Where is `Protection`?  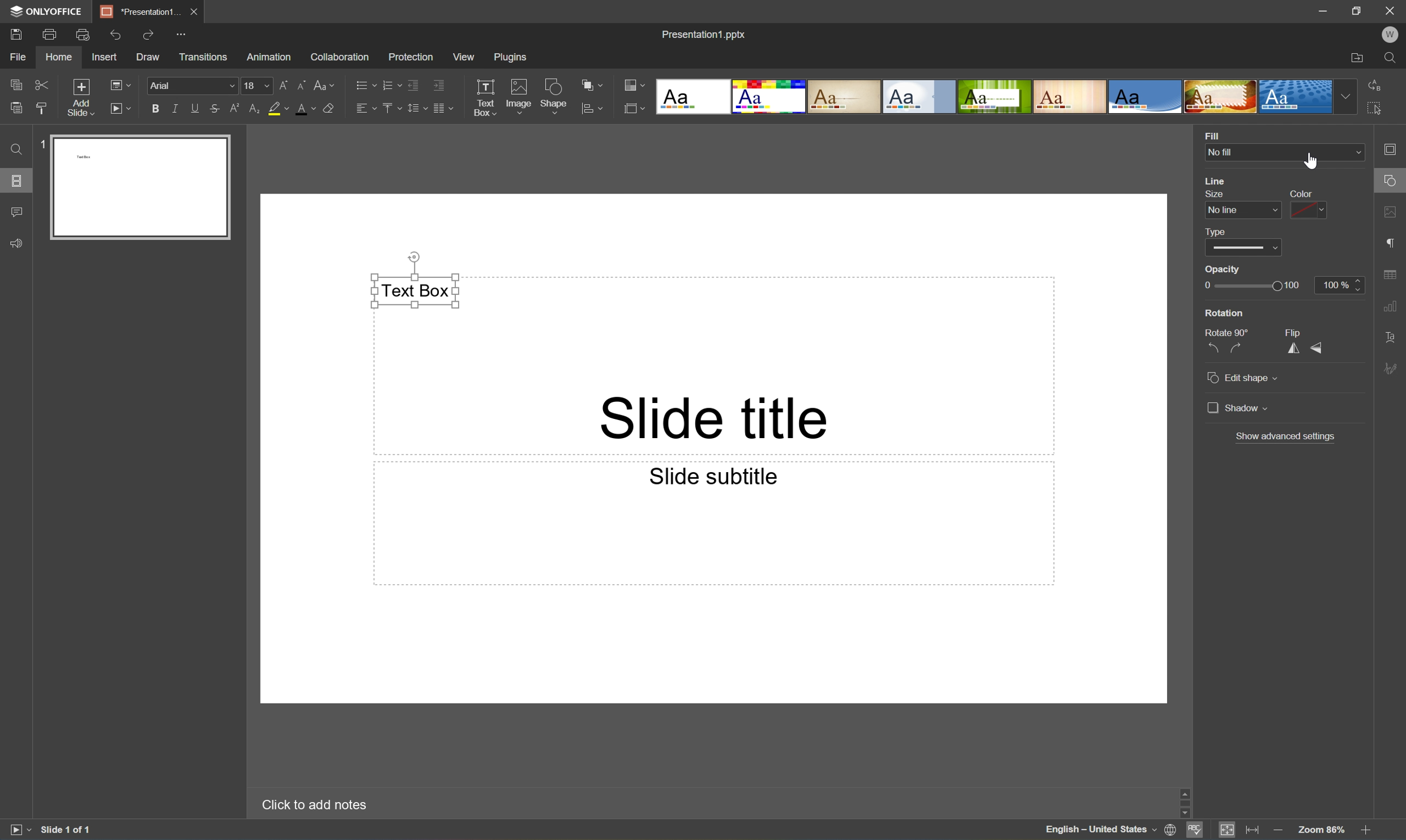
Protection is located at coordinates (412, 57).